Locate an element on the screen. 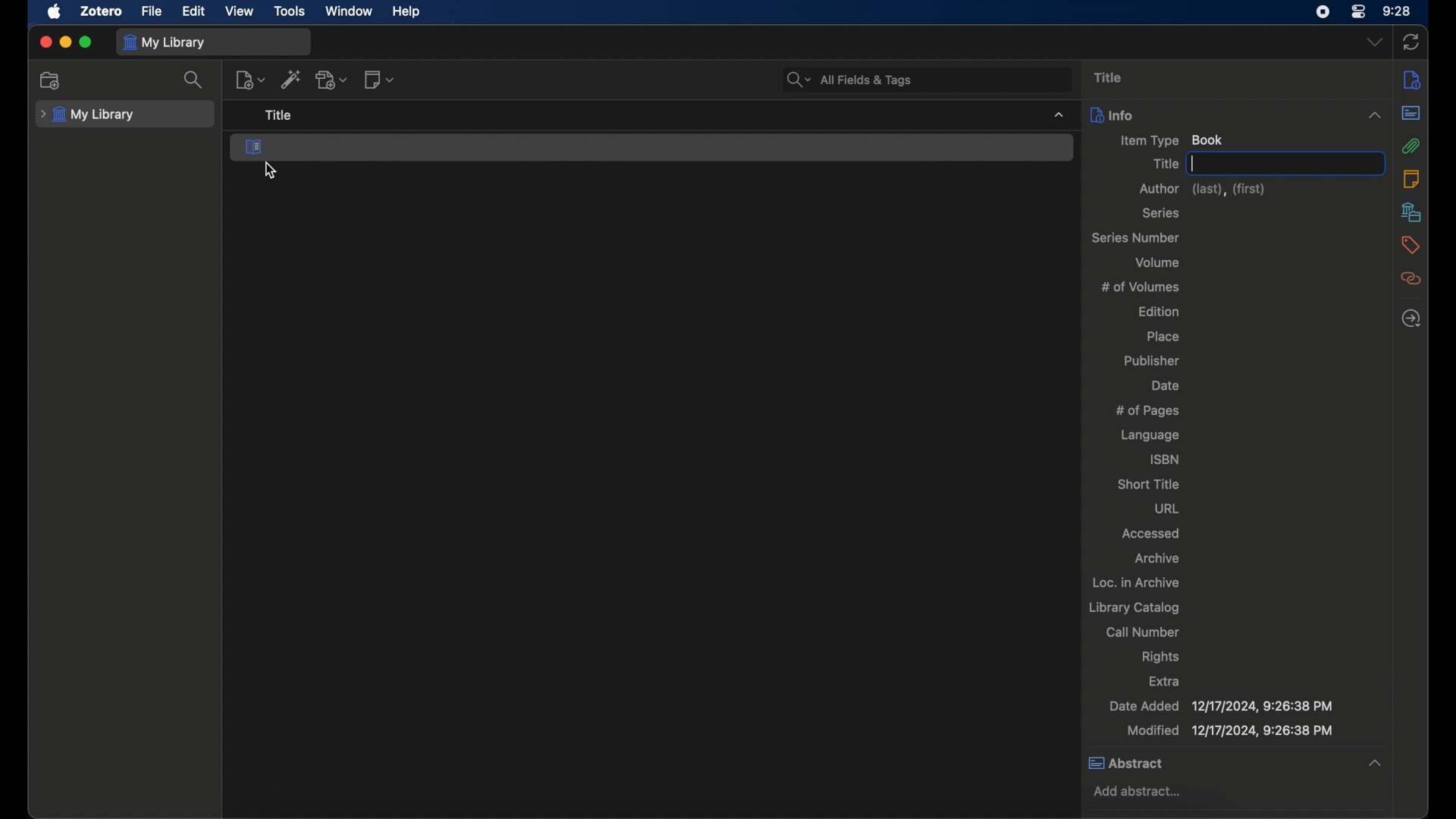 The width and height of the screenshot is (1456, 819). date is located at coordinates (1166, 384).